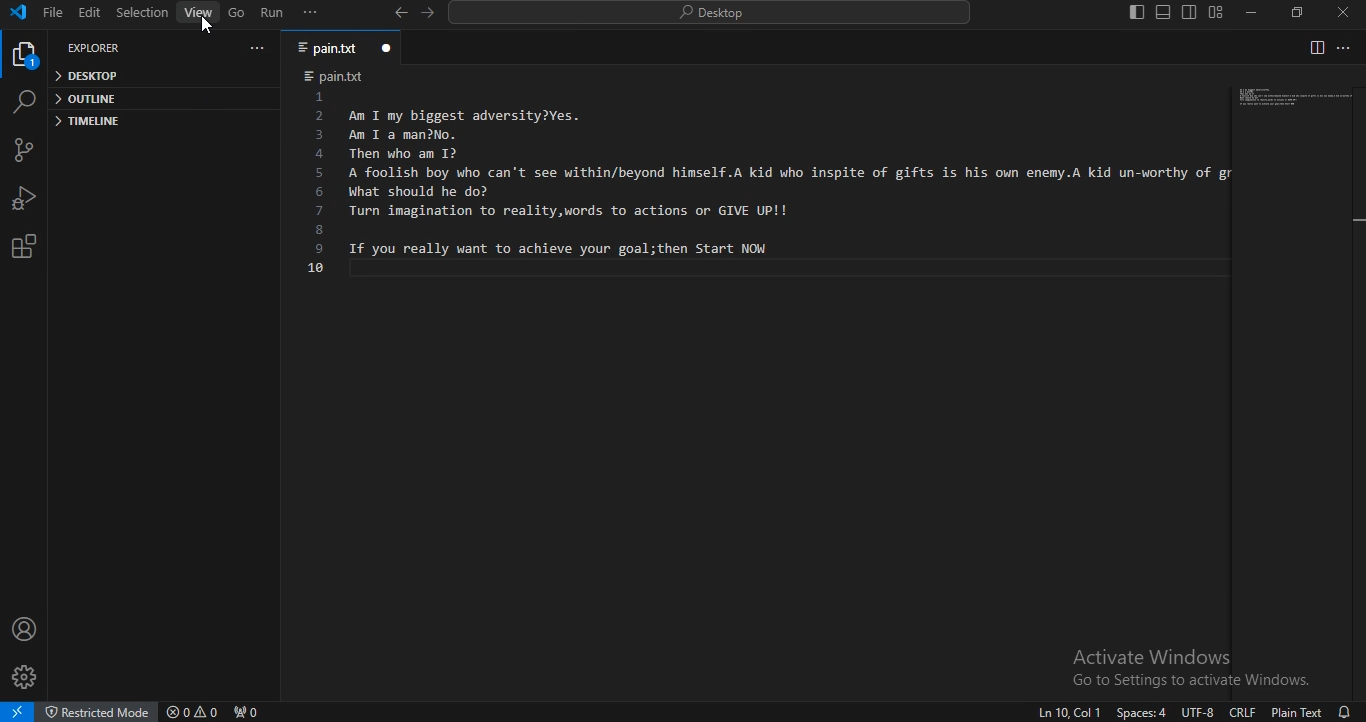 This screenshot has width=1366, height=722. I want to click on toggle panel, so click(1163, 13).